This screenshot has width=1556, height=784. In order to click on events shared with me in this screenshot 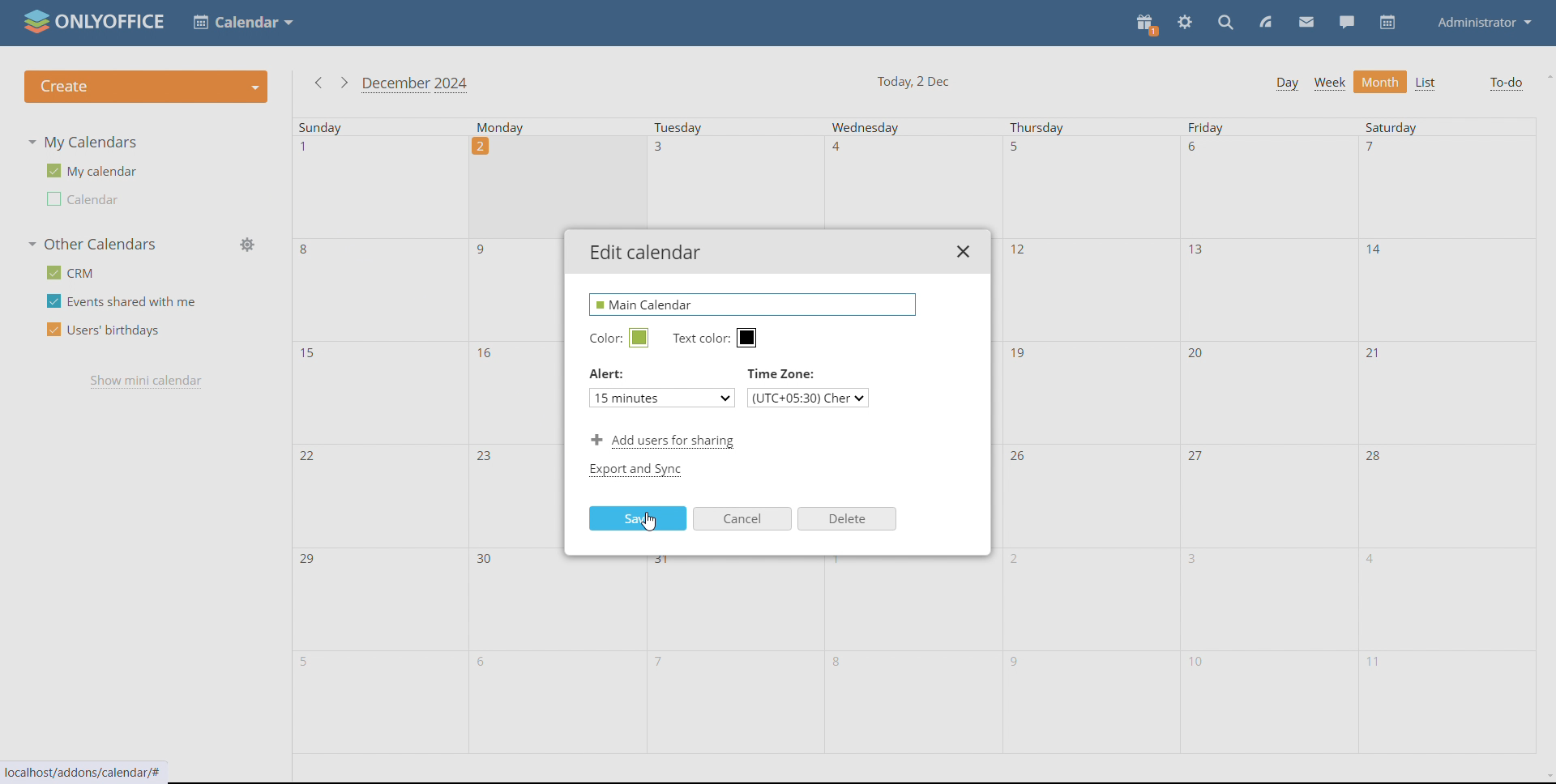, I will do `click(121, 300)`.